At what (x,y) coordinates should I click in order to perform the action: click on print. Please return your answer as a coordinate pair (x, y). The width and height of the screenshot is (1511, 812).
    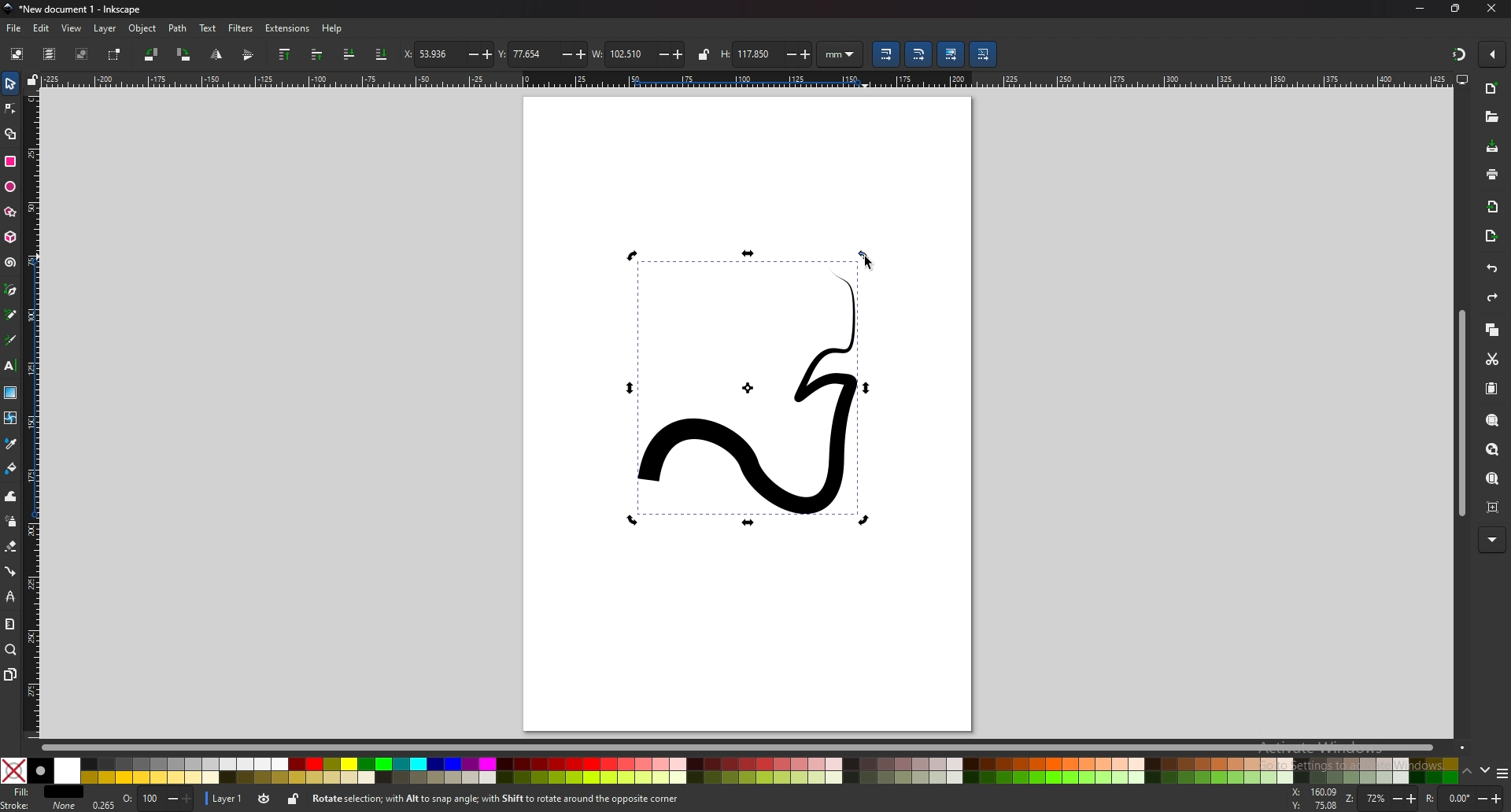
    Looking at the image, I should click on (1492, 175).